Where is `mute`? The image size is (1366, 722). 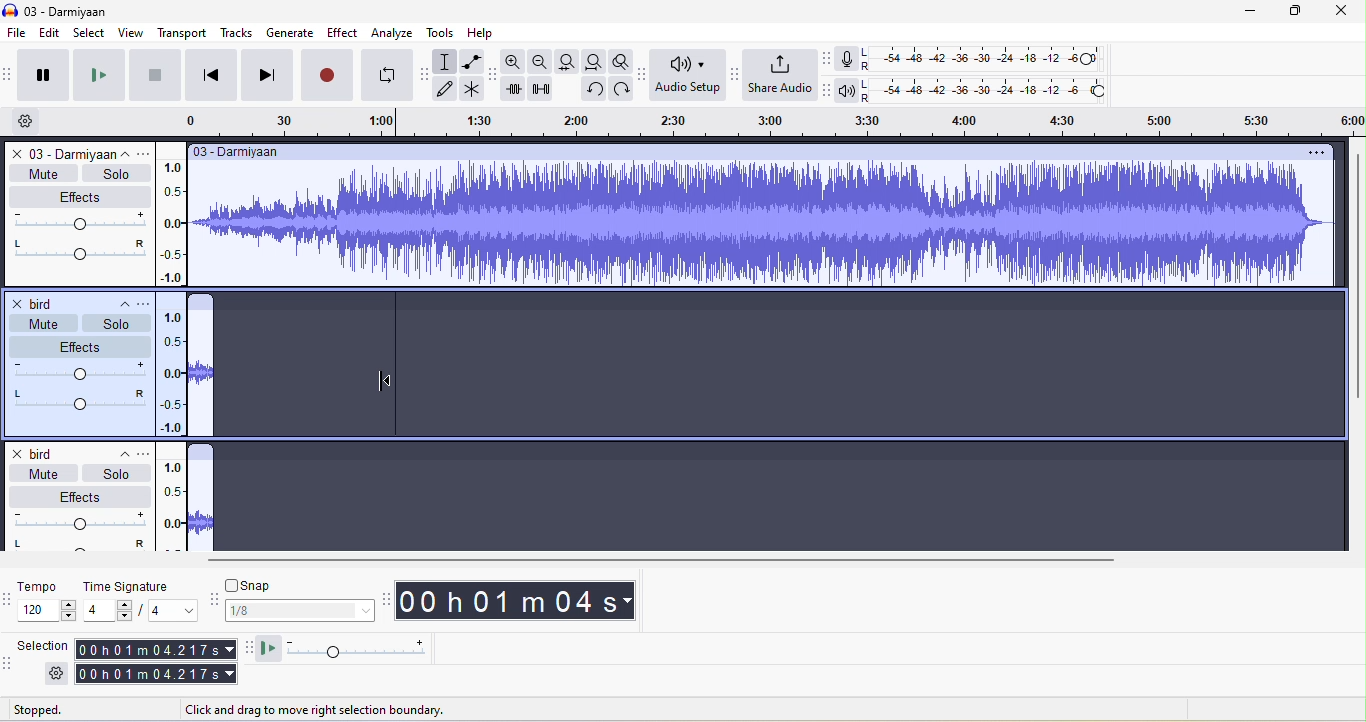
mute is located at coordinates (43, 173).